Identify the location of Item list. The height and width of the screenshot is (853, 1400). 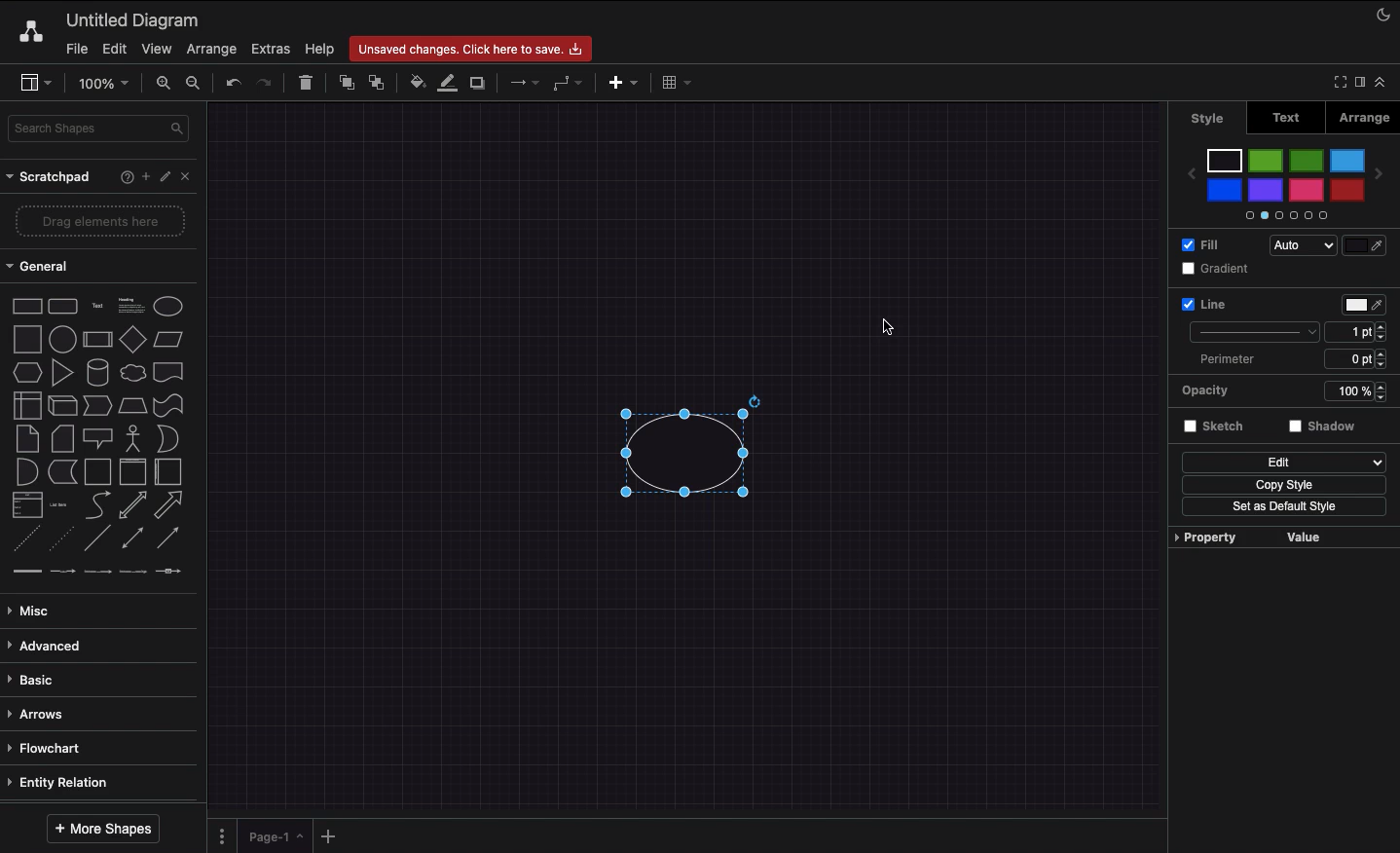
(64, 505).